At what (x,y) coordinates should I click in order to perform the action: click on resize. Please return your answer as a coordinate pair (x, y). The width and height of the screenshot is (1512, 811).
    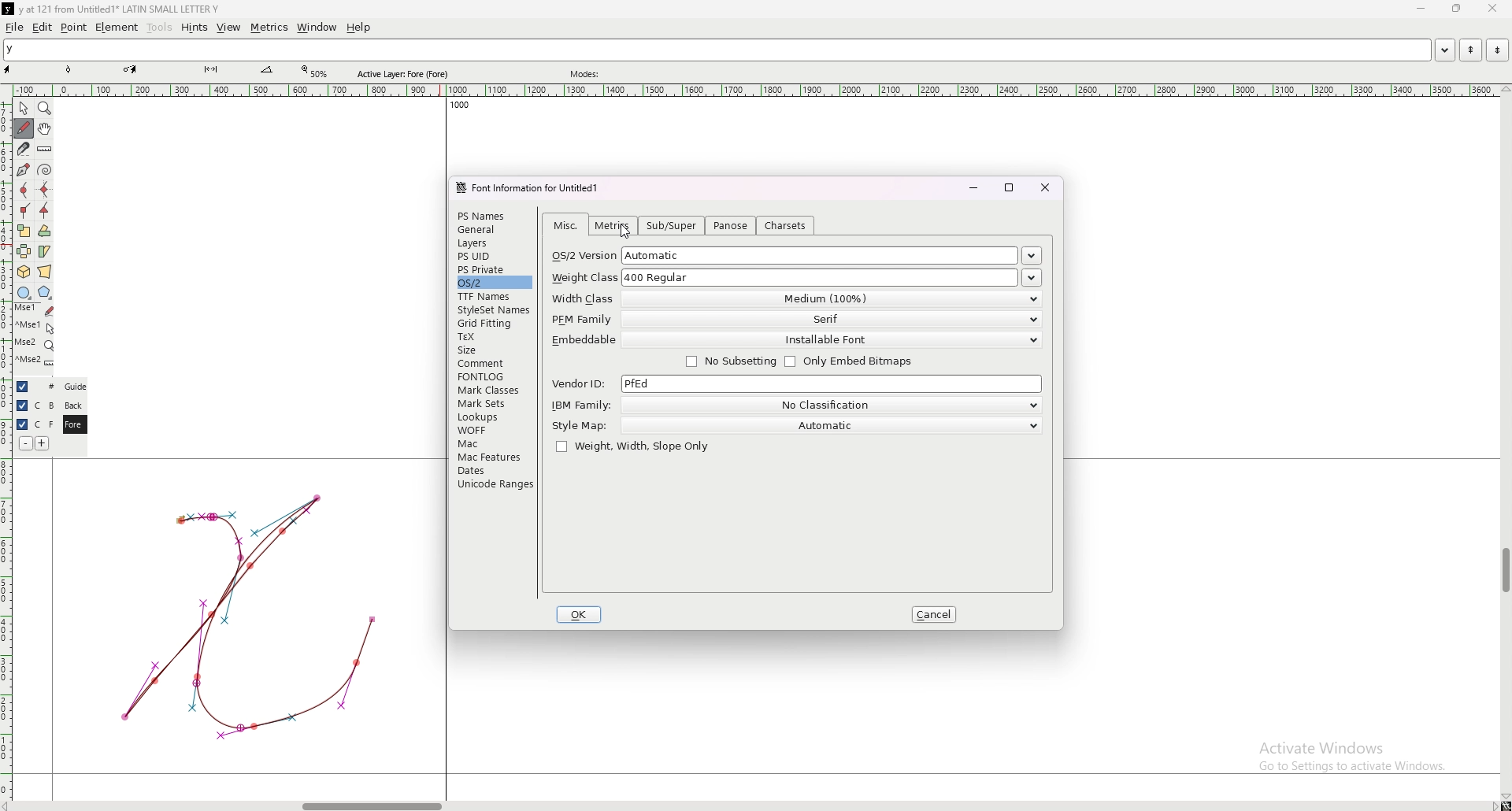
    Looking at the image, I should click on (1455, 9).